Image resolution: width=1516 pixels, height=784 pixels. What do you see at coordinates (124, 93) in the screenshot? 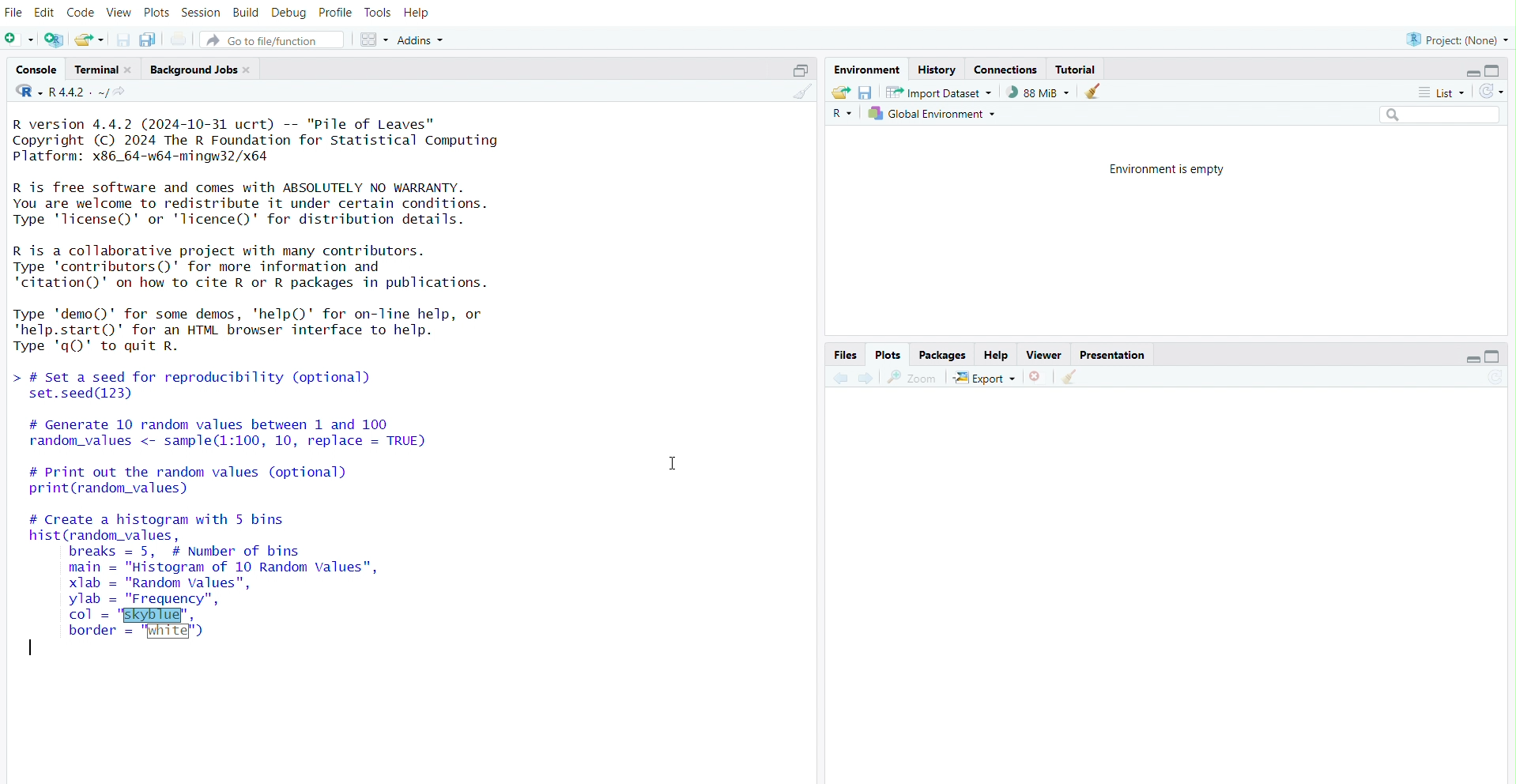
I see `view the current working diirectory` at bounding box center [124, 93].